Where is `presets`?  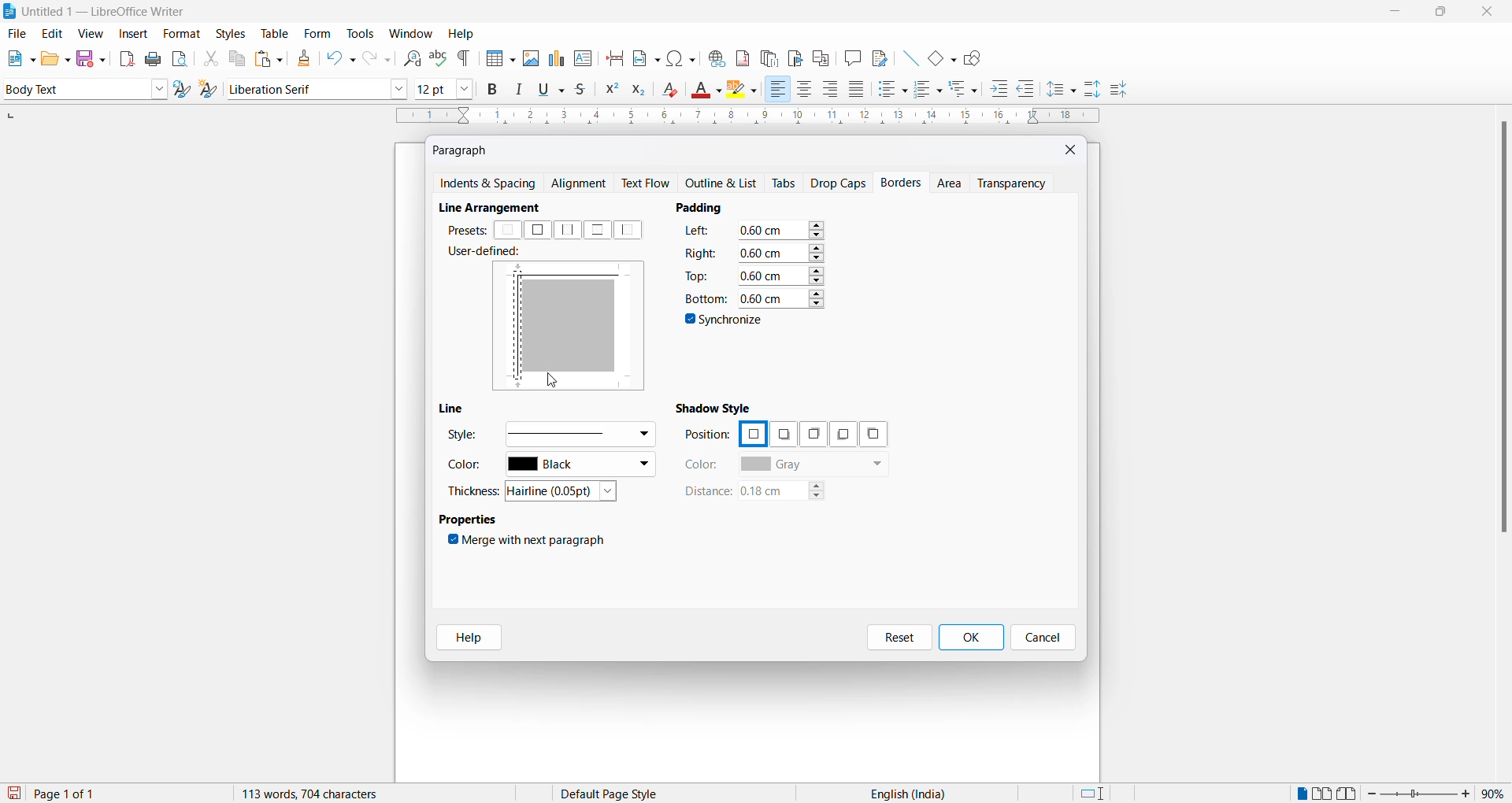 presets is located at coordinates (465, 230).